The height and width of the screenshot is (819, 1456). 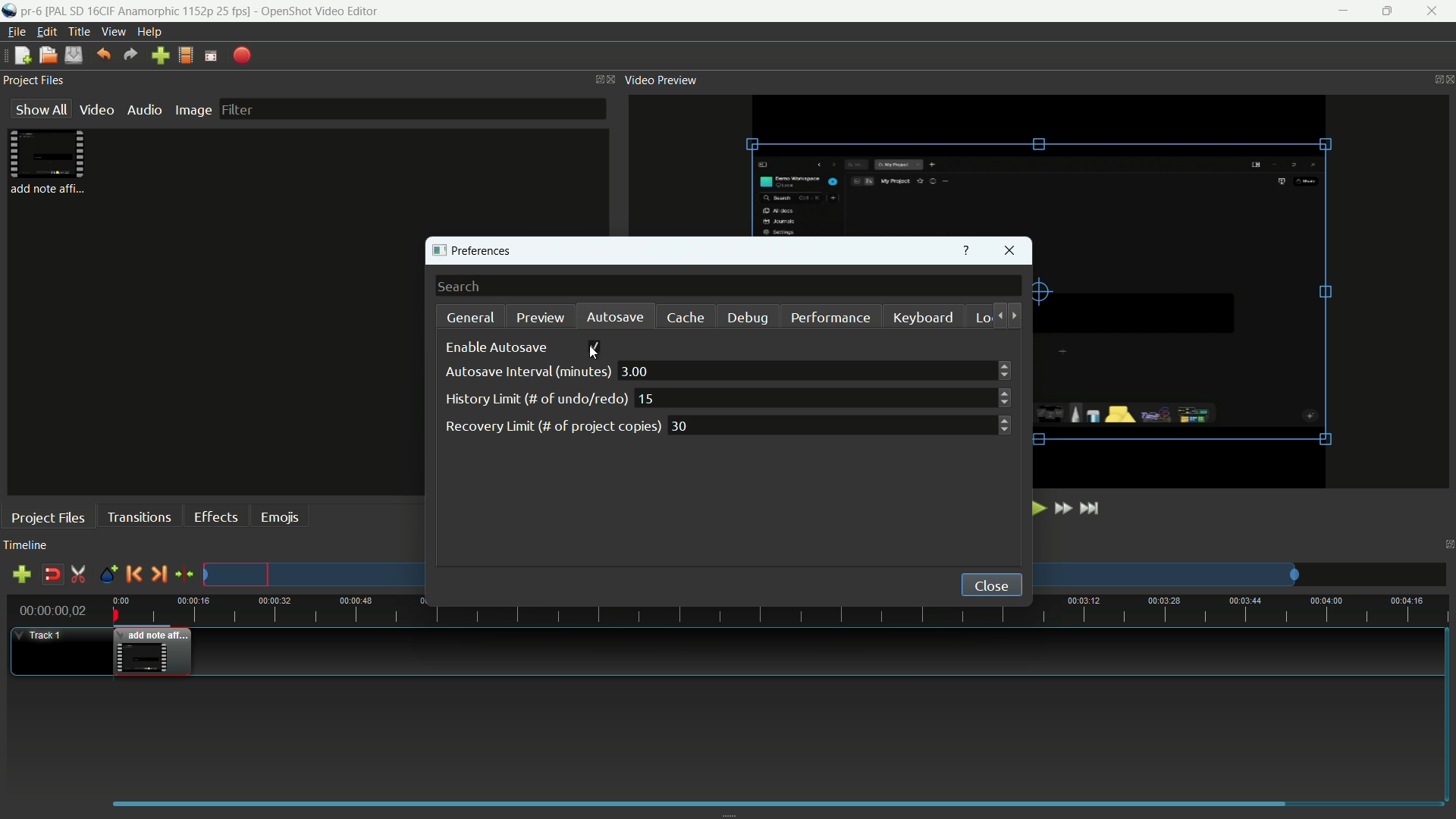 I want to click on profile, so click(x=186, y=55).